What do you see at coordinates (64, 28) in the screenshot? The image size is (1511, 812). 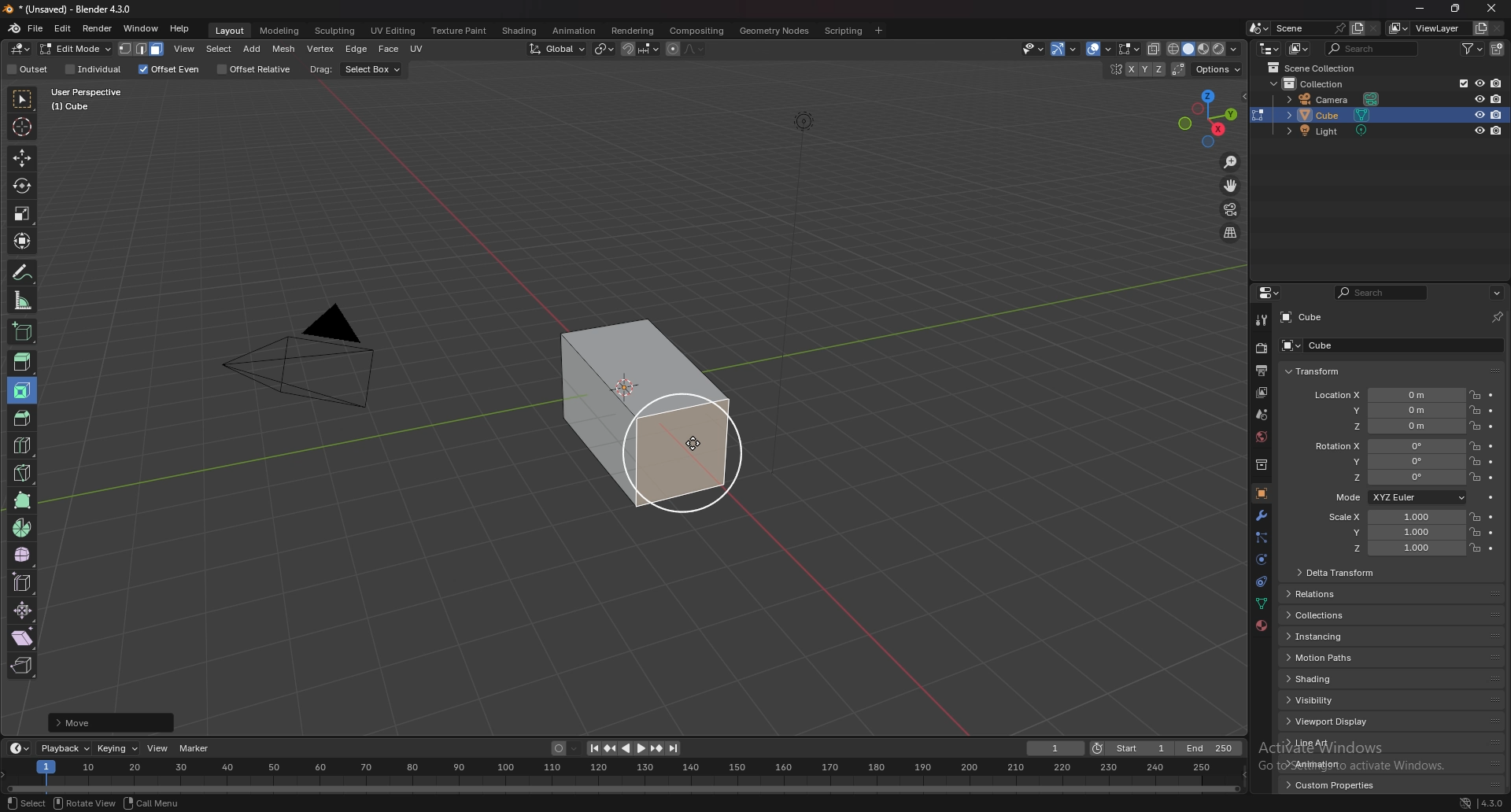 I see `edit` at bounding box center [64, 28].